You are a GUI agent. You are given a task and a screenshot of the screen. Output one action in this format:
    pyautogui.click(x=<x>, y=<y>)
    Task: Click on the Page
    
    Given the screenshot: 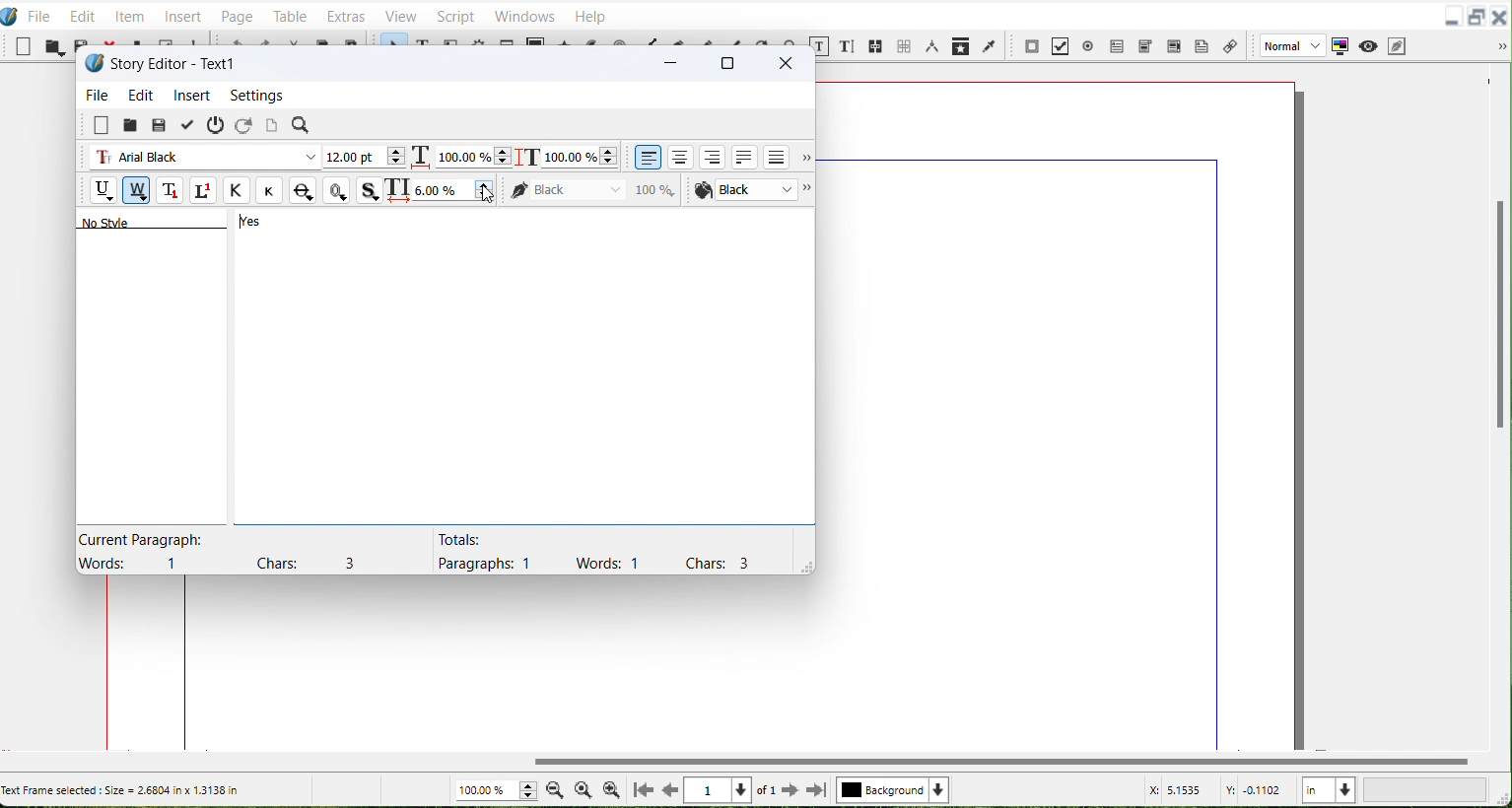 What is the action you would take?
    pyautogui.click(x=237, y=15)
    